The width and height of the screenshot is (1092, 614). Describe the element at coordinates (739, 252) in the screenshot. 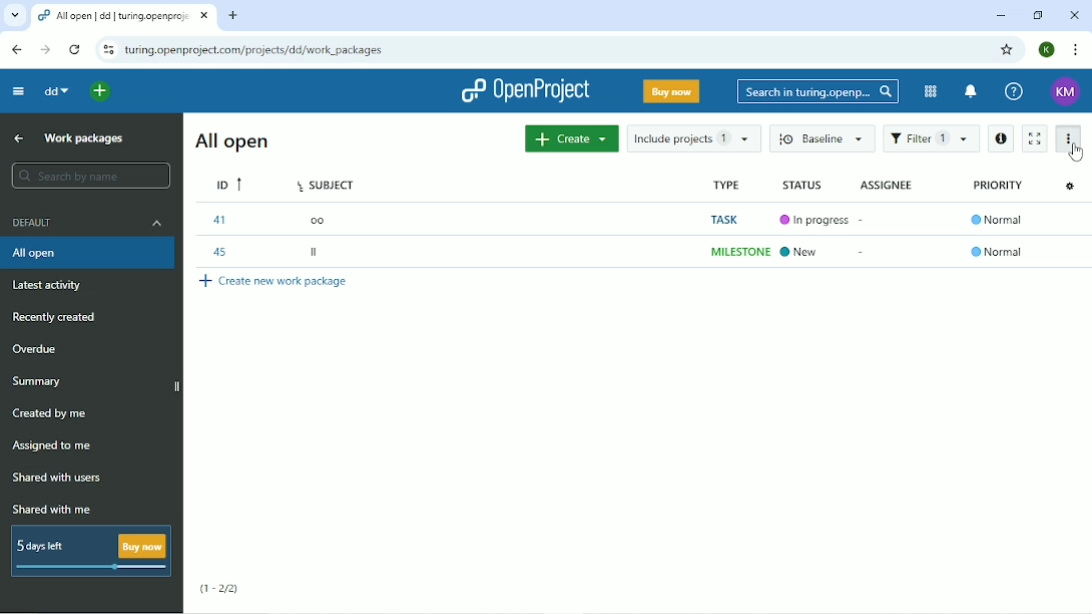

I see `MILESTONE` at that location.